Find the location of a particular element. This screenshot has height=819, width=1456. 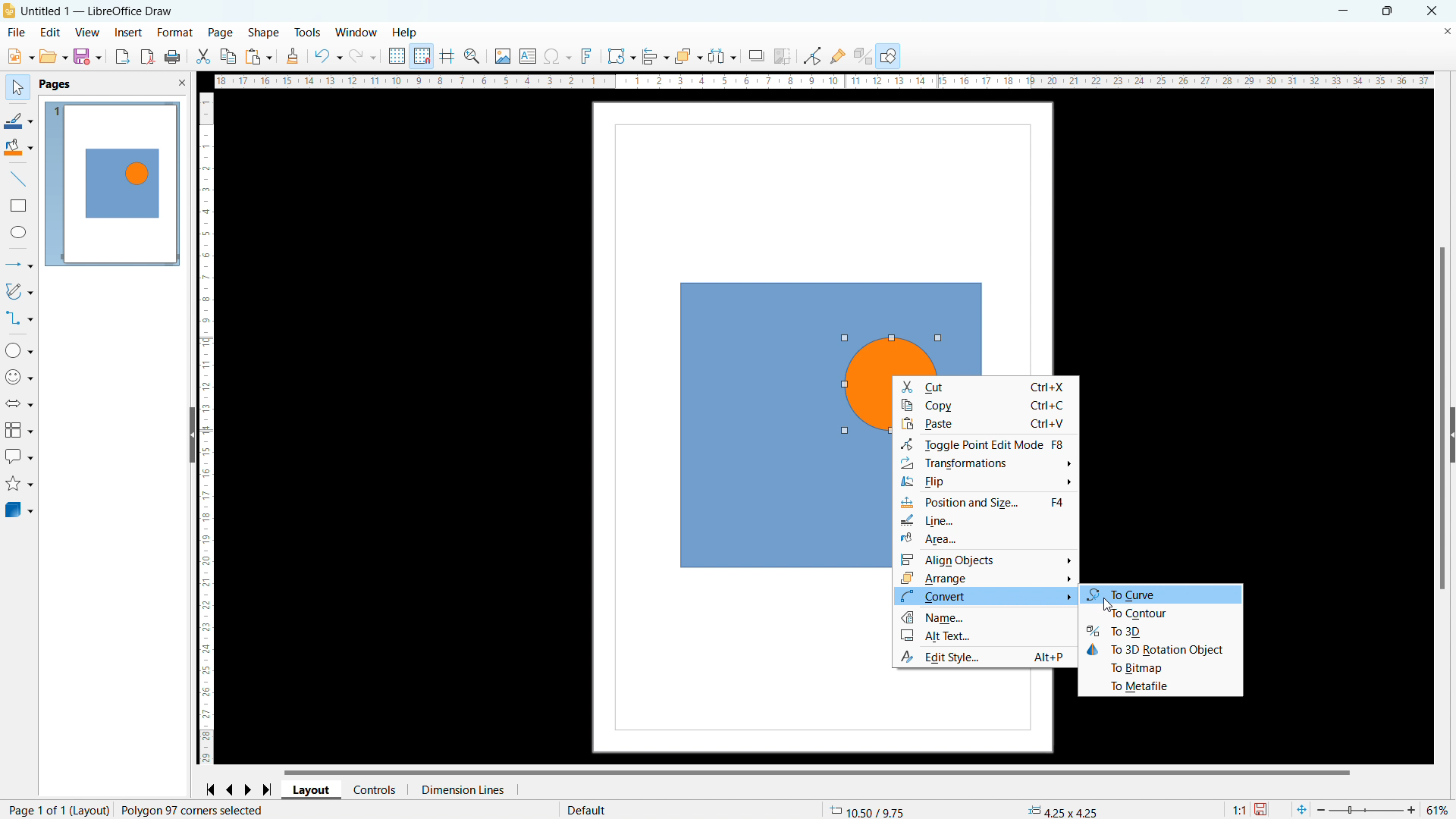

close is located at coordinates (1432, 11).